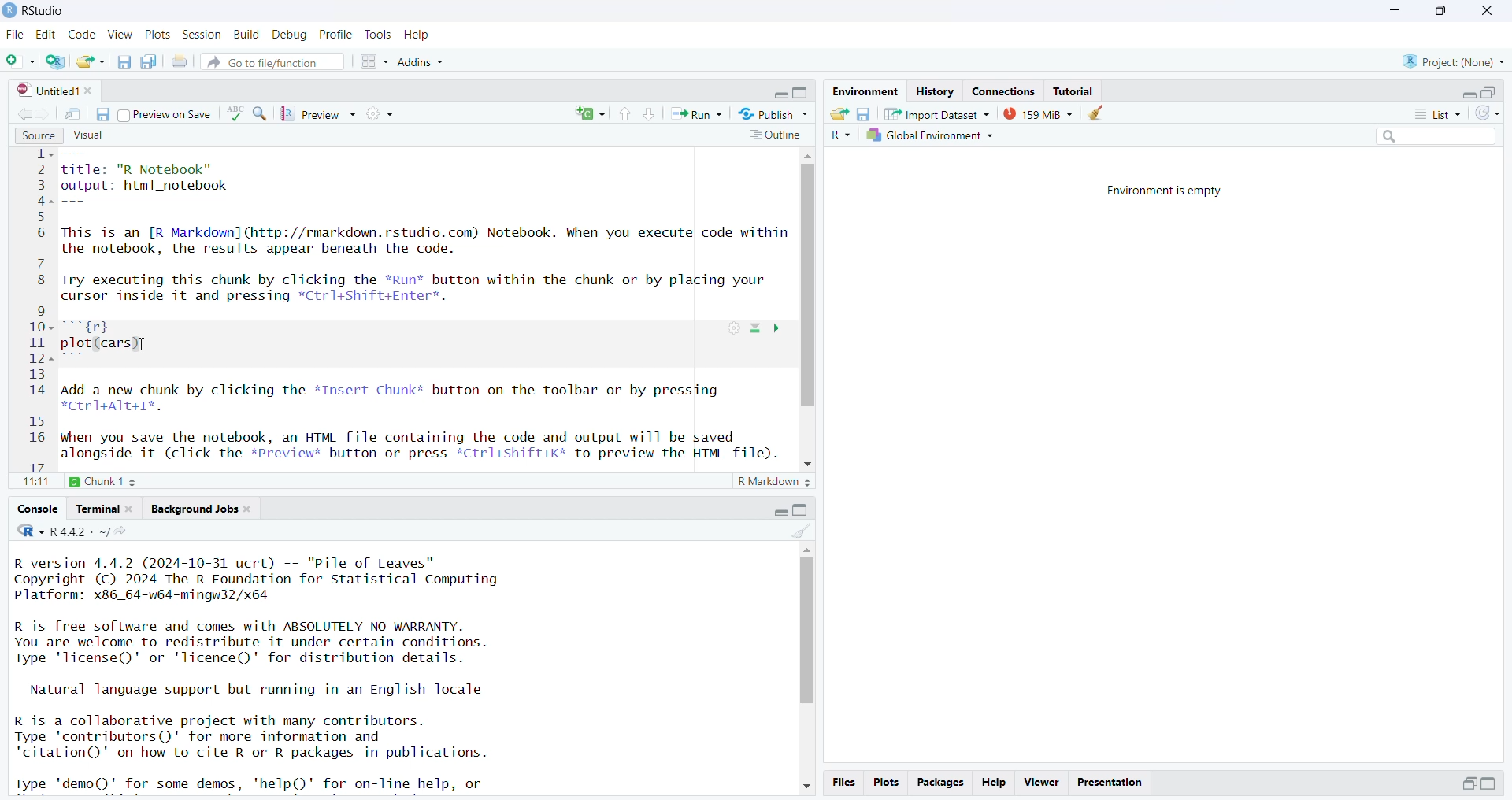 Image resolution: width=1512 pixels, height=800 pixels. I want to click on go backward, so click(22, 112).